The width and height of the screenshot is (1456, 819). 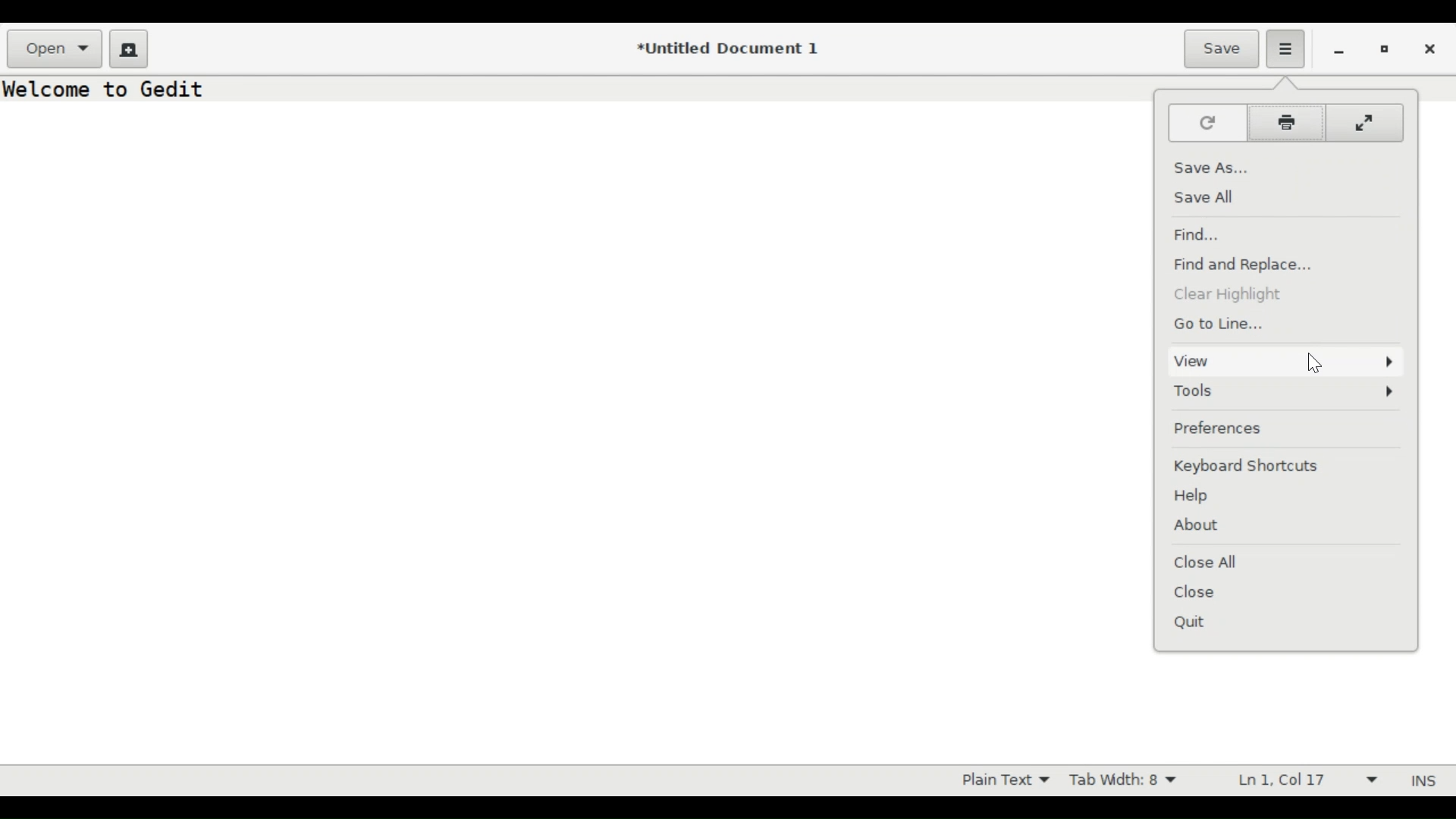 I want to click on cursor, so click(x=1319, y=364).